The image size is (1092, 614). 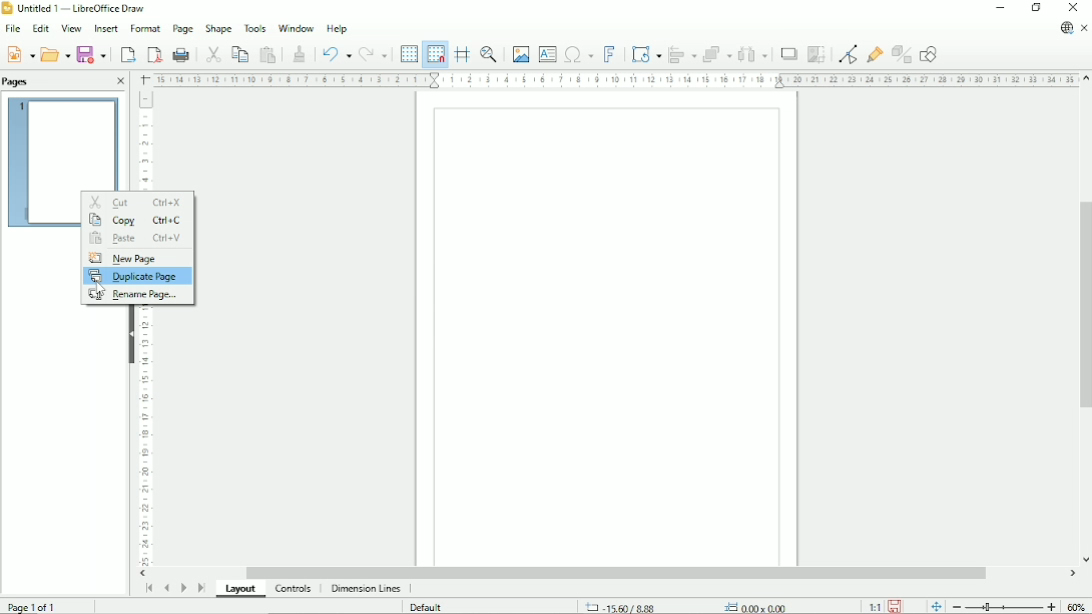 I want to click on Tools, so click(x=255, y=27).